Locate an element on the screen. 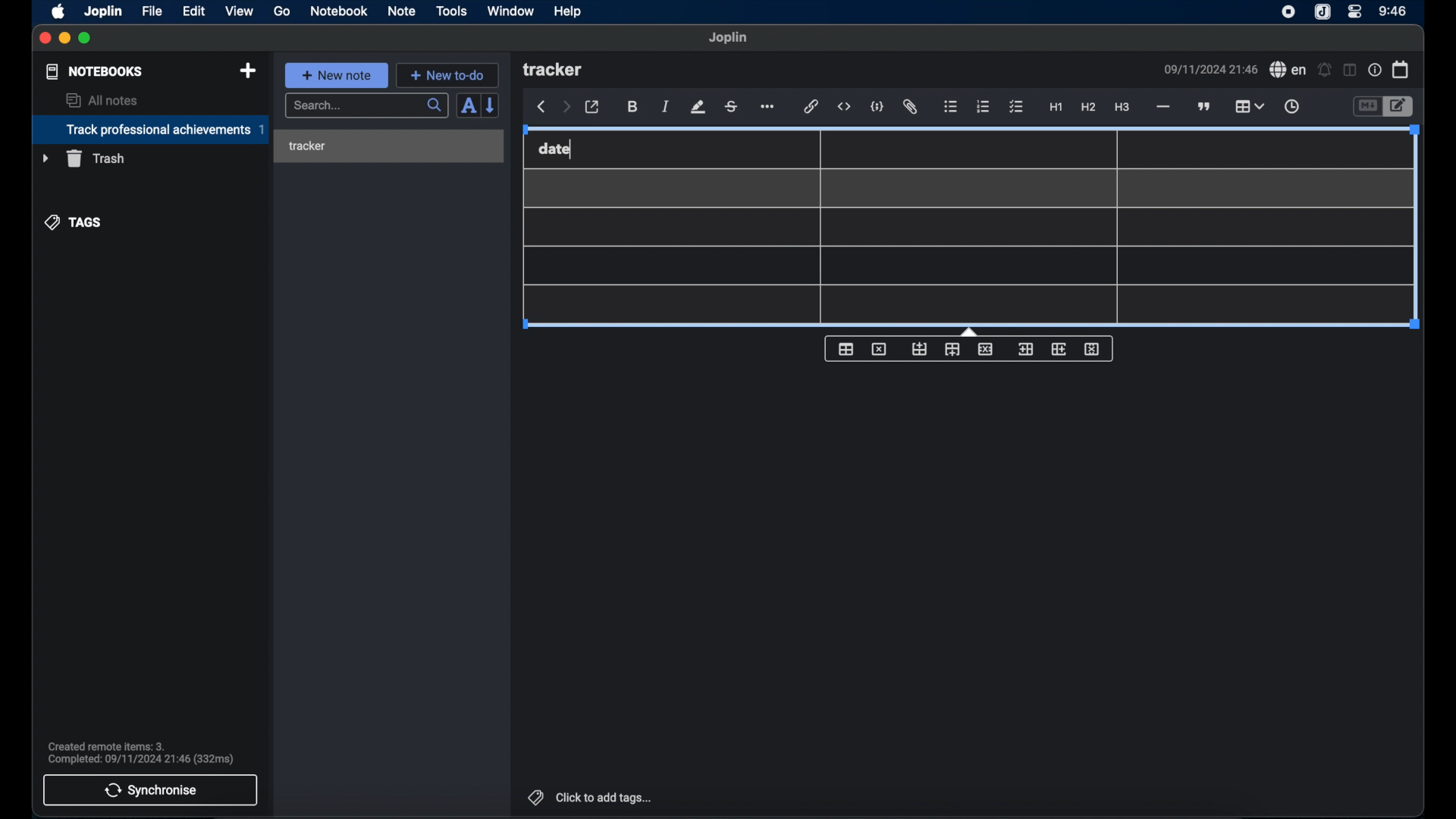 Image resolution: width=1456 pixels, height=819 pixels. insert time is located at coordinates (1291, 107).